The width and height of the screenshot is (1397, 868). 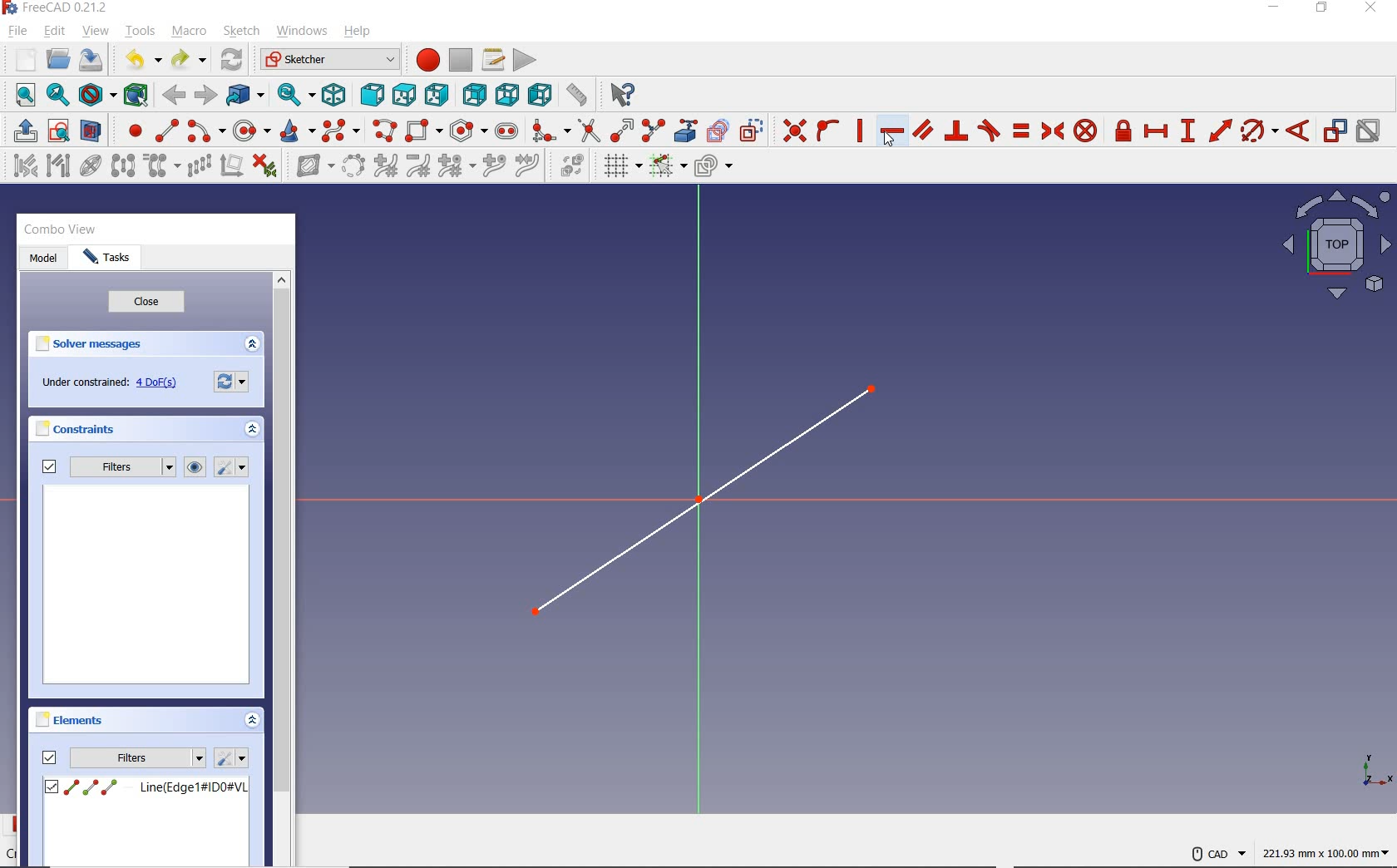 I want to click on NEW, so click(x=22, y=58).